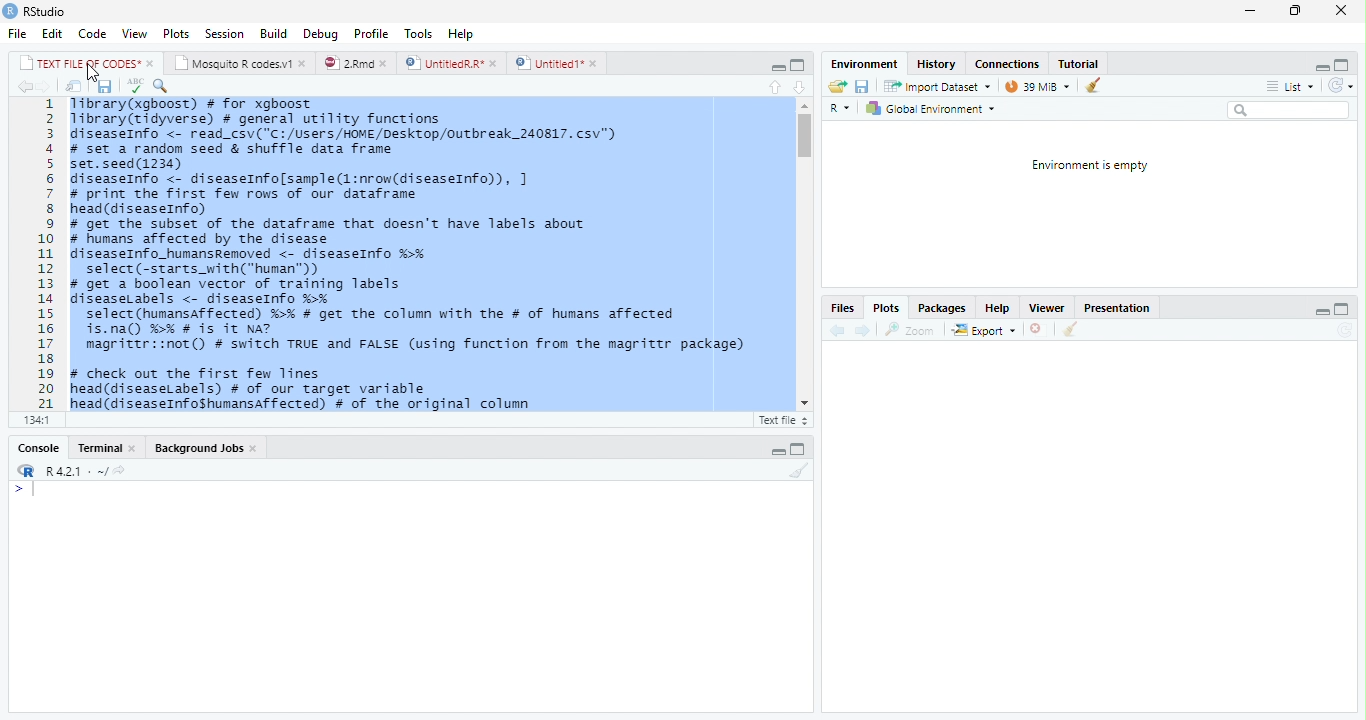  Describe the element at coordinates (1091, 165) in the screenshot. I see `Environment is empty` at that location.